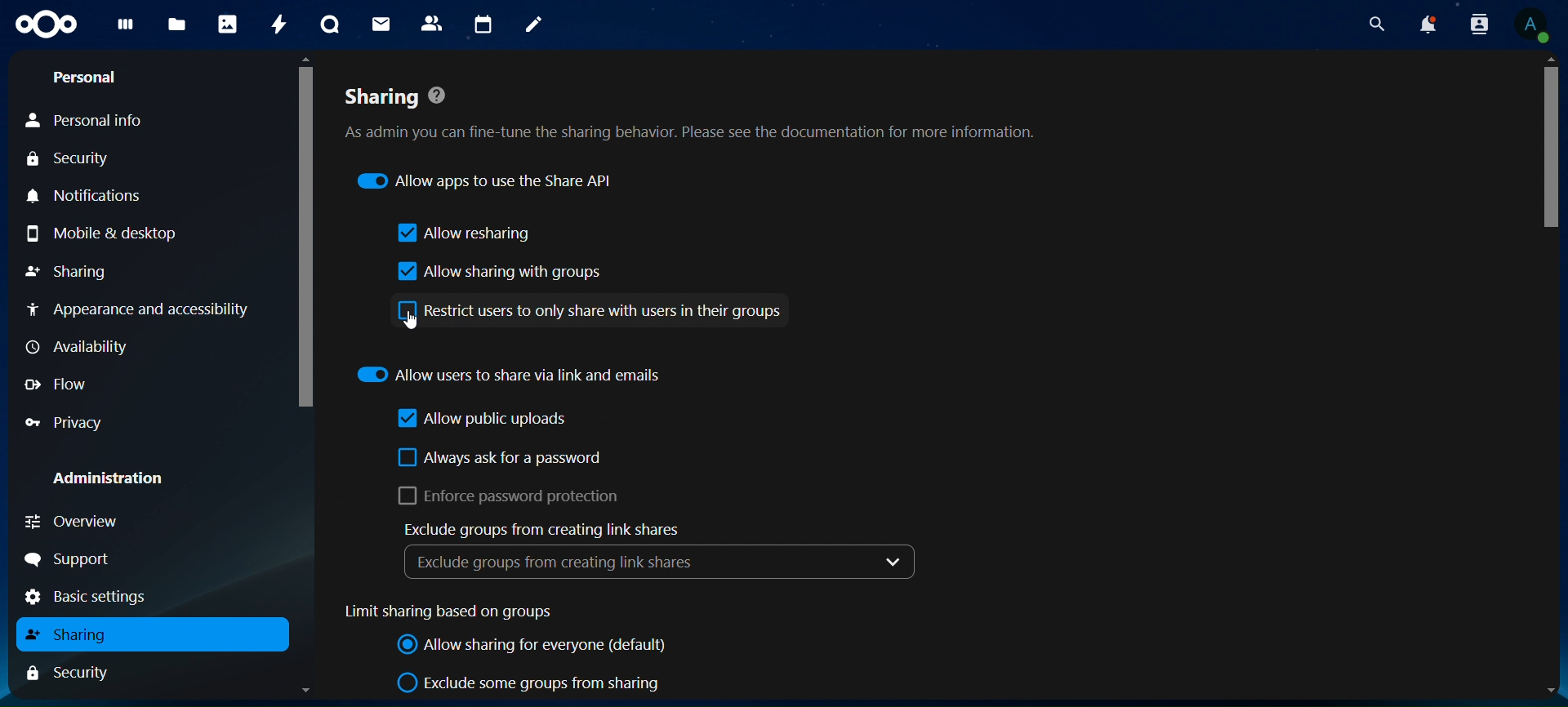 This screenshot has height=707, width=1568. I want to click on allow users to share via link and emails, so click(509, 374).